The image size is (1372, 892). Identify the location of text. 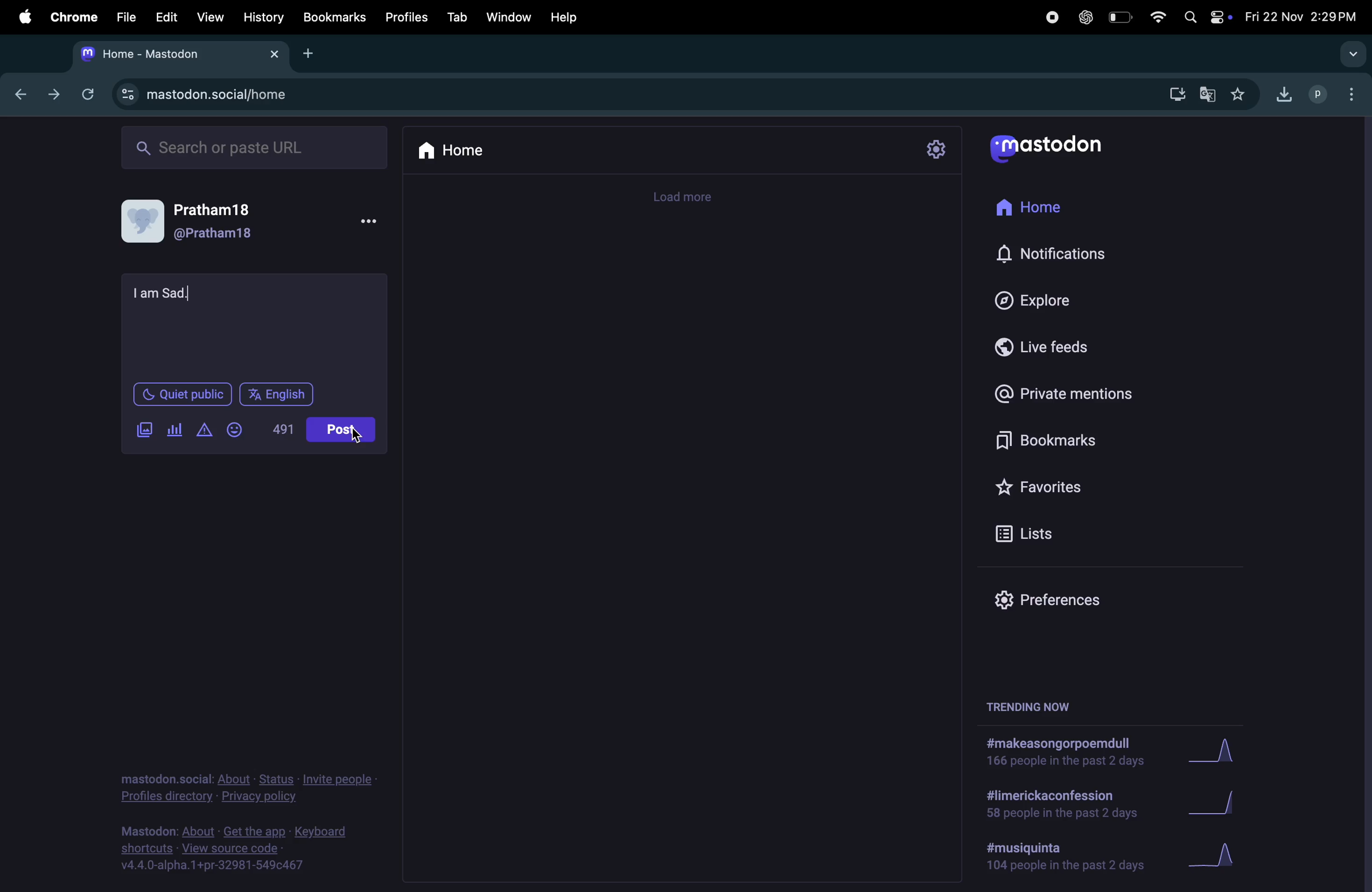
(172, 297).